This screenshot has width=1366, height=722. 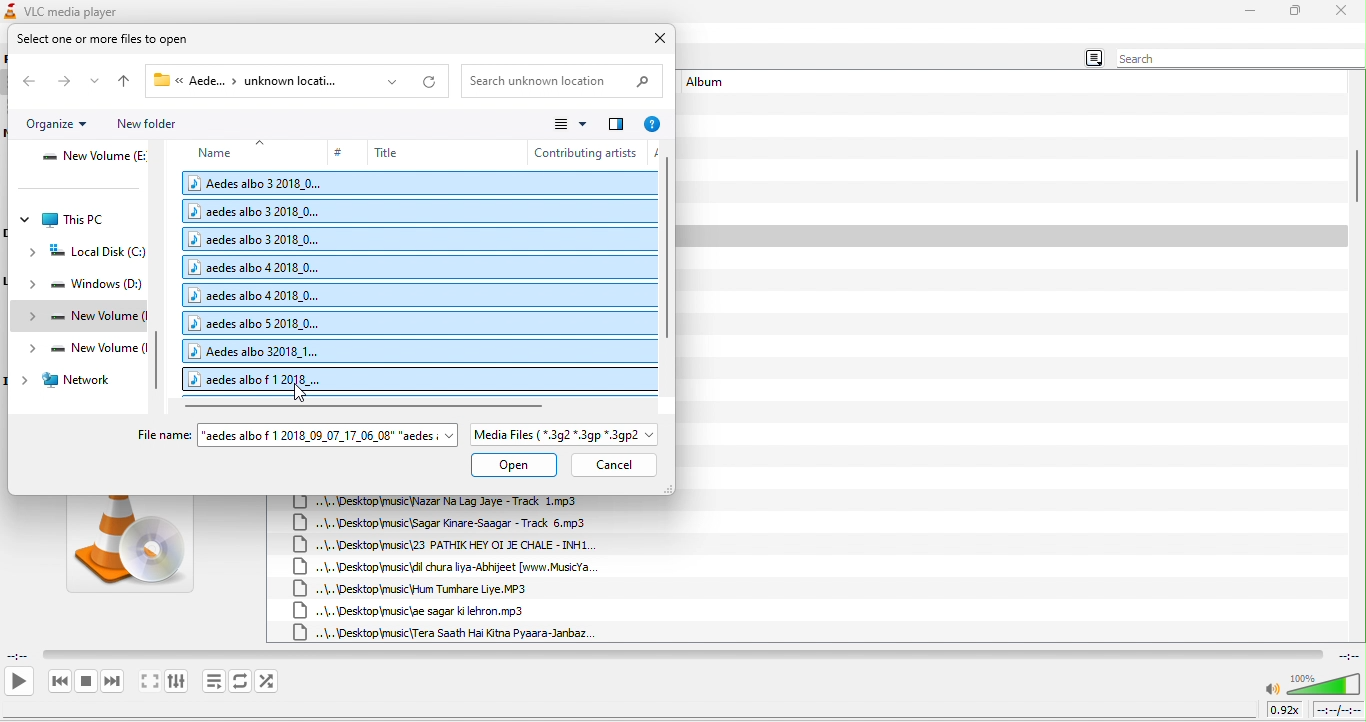 What do you see at coordinates (100, 83) in the screenshot?
I see `recent location` at bounding box center [100, 83].